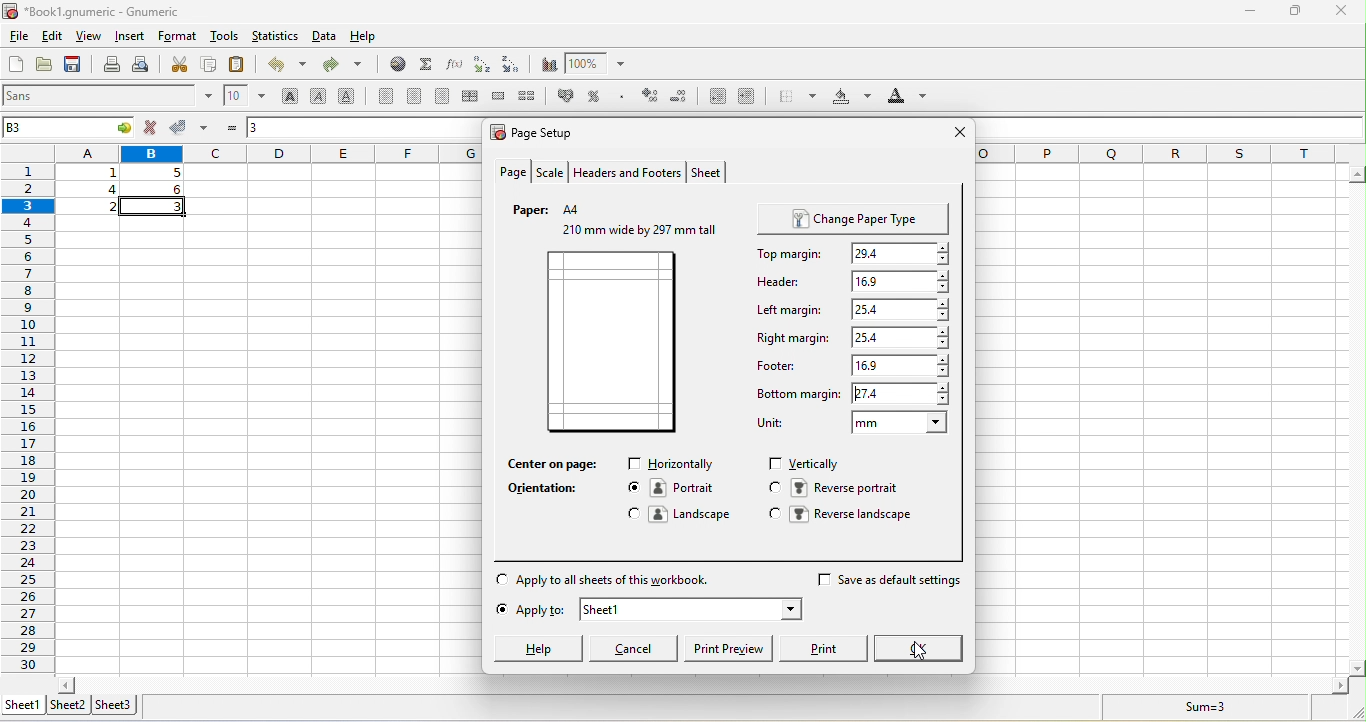 The width and height of the screenshot is (1366, 722). What do you see at coordinates (129, 37) in the screenshot?
I see `insert` at bounding box center [129, 37].